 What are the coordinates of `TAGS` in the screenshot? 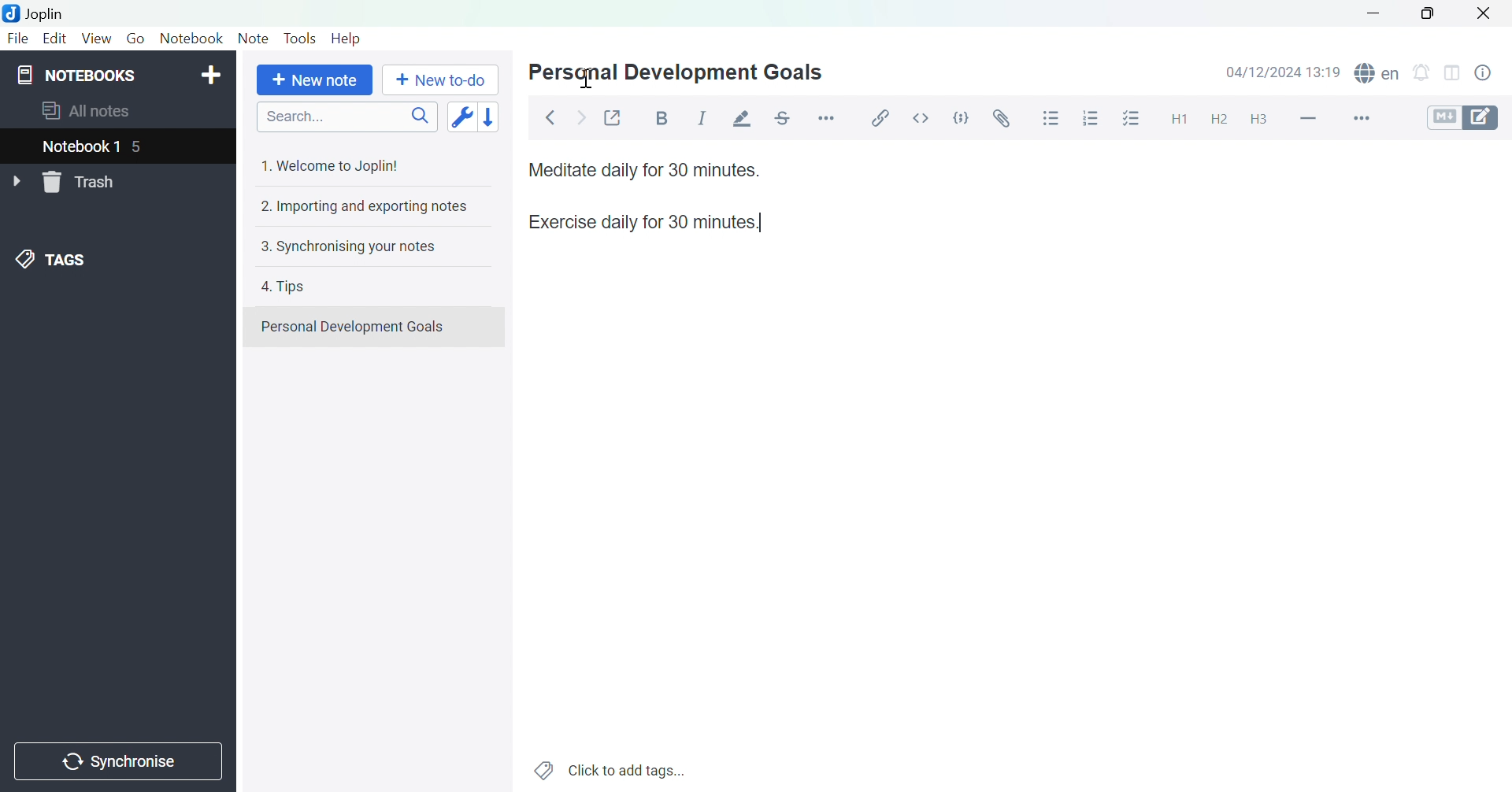 It's located at (54, 258).